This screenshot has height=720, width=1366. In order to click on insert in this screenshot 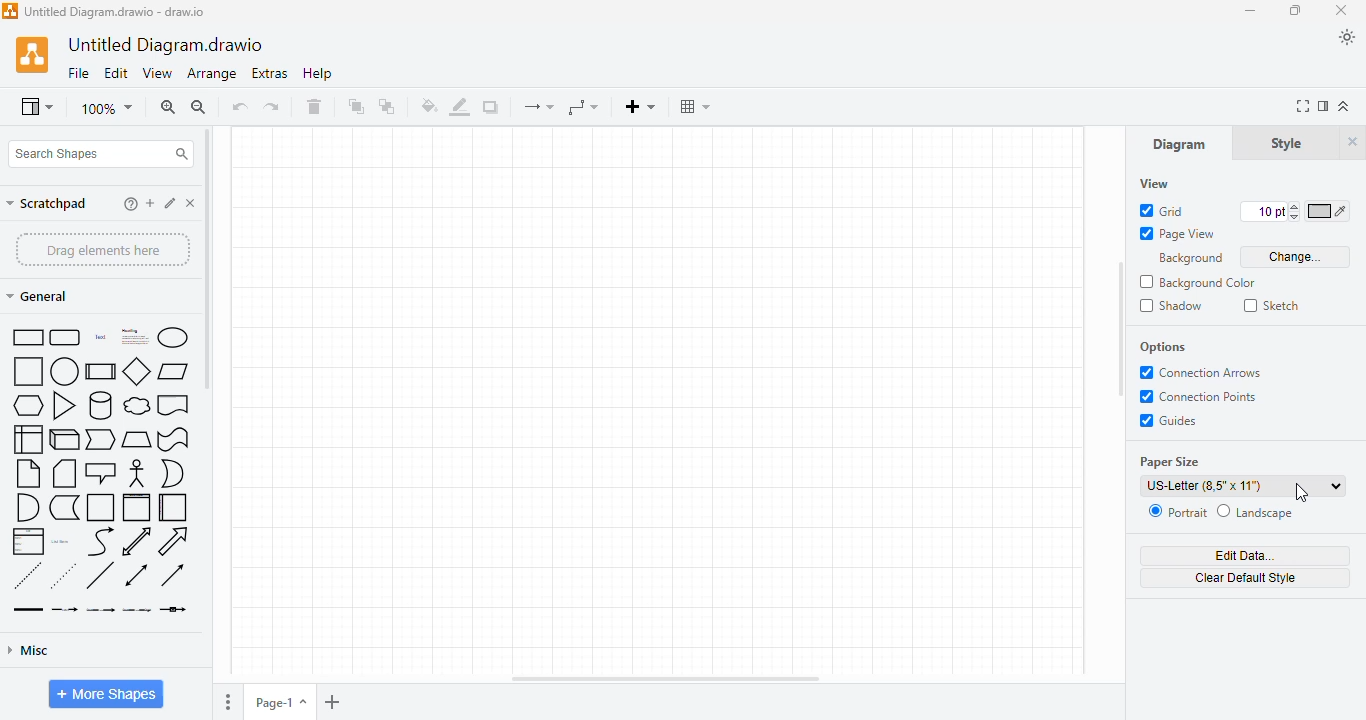, I will do `click(640, 107)`.